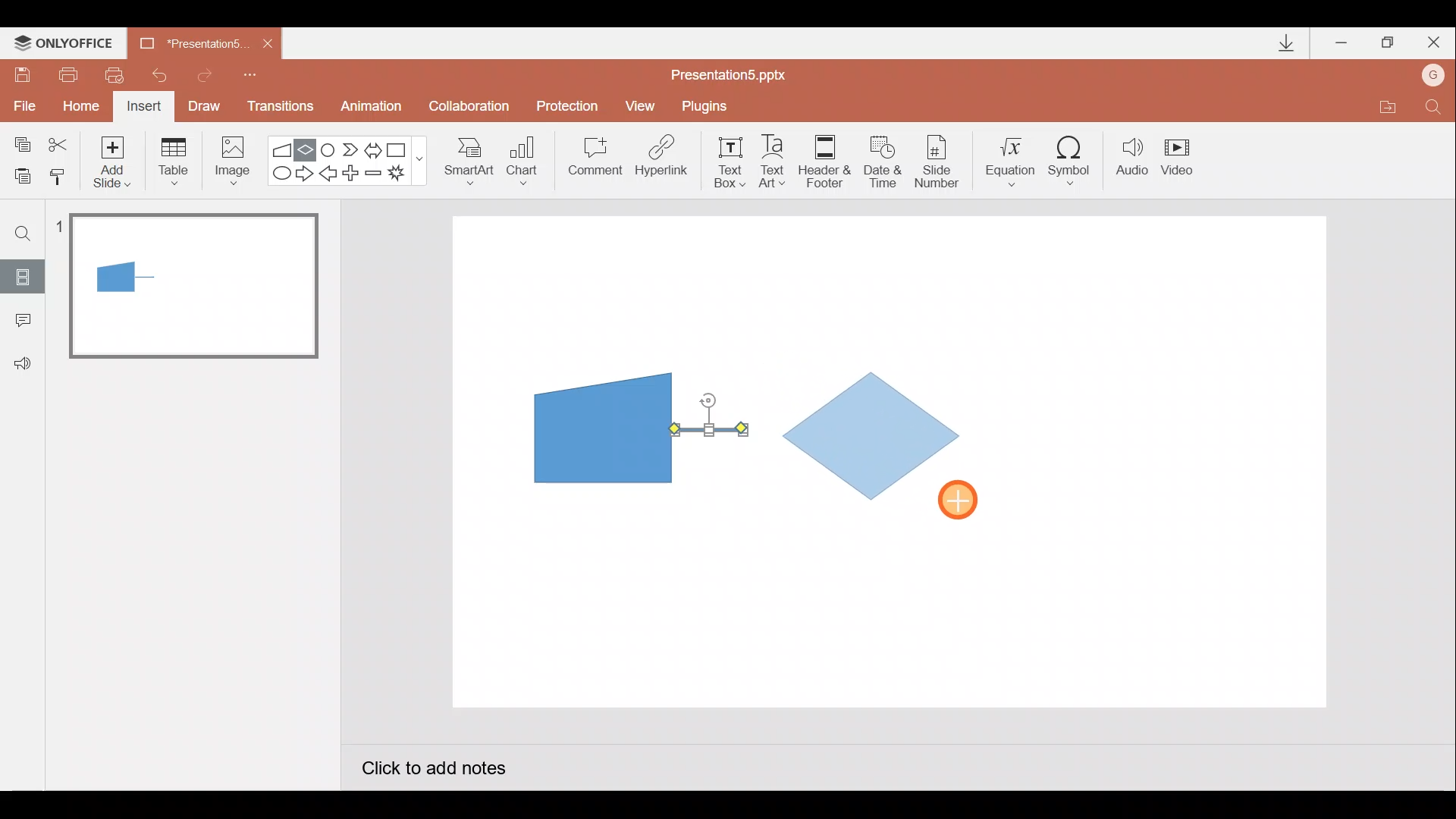  I want to click on Symbol, so click(1075, 160).